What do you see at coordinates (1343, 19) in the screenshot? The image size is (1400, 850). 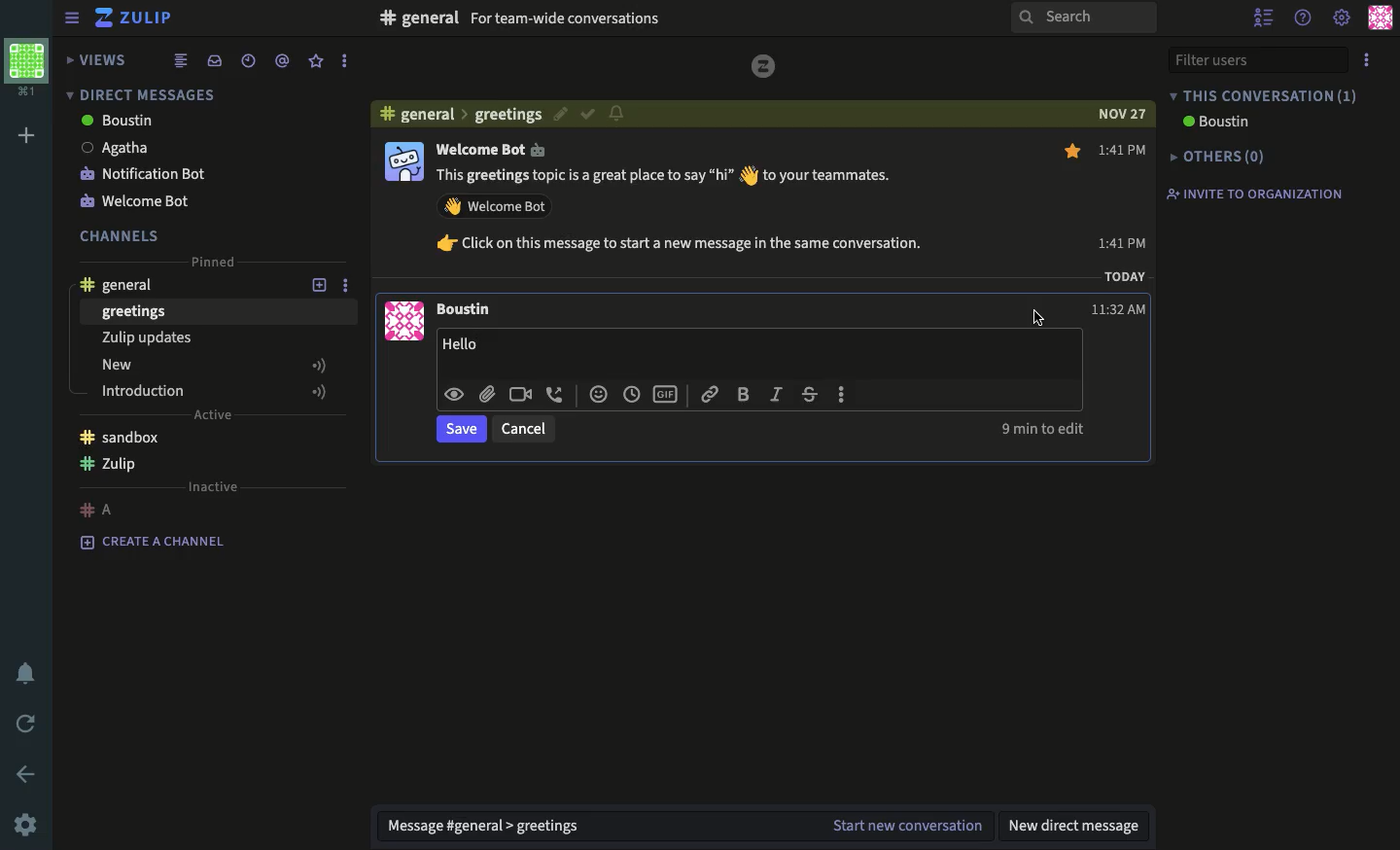 I see `settings` at bounding box center [1343, 19].